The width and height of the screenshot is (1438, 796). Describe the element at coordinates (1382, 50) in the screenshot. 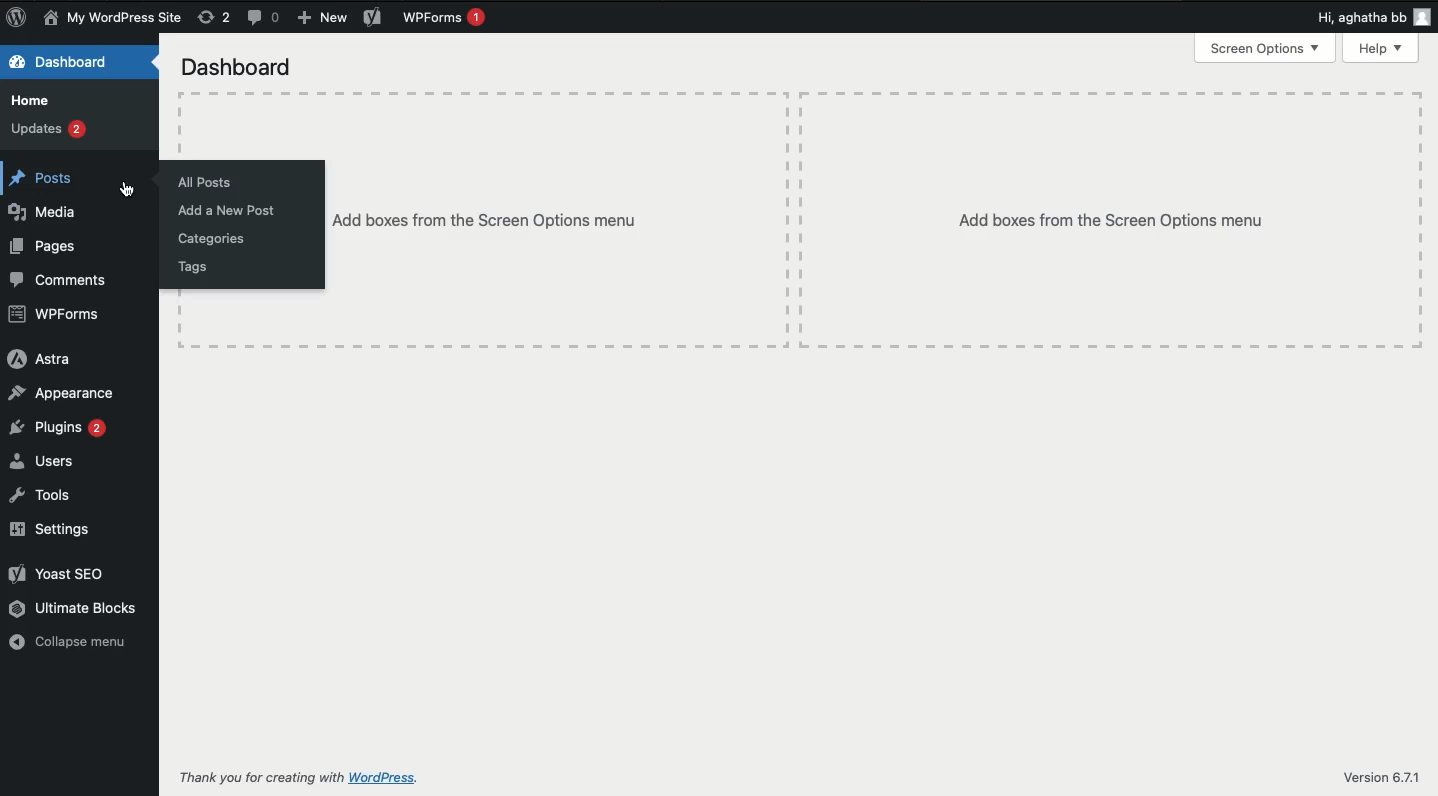

I see `Help` at that location.